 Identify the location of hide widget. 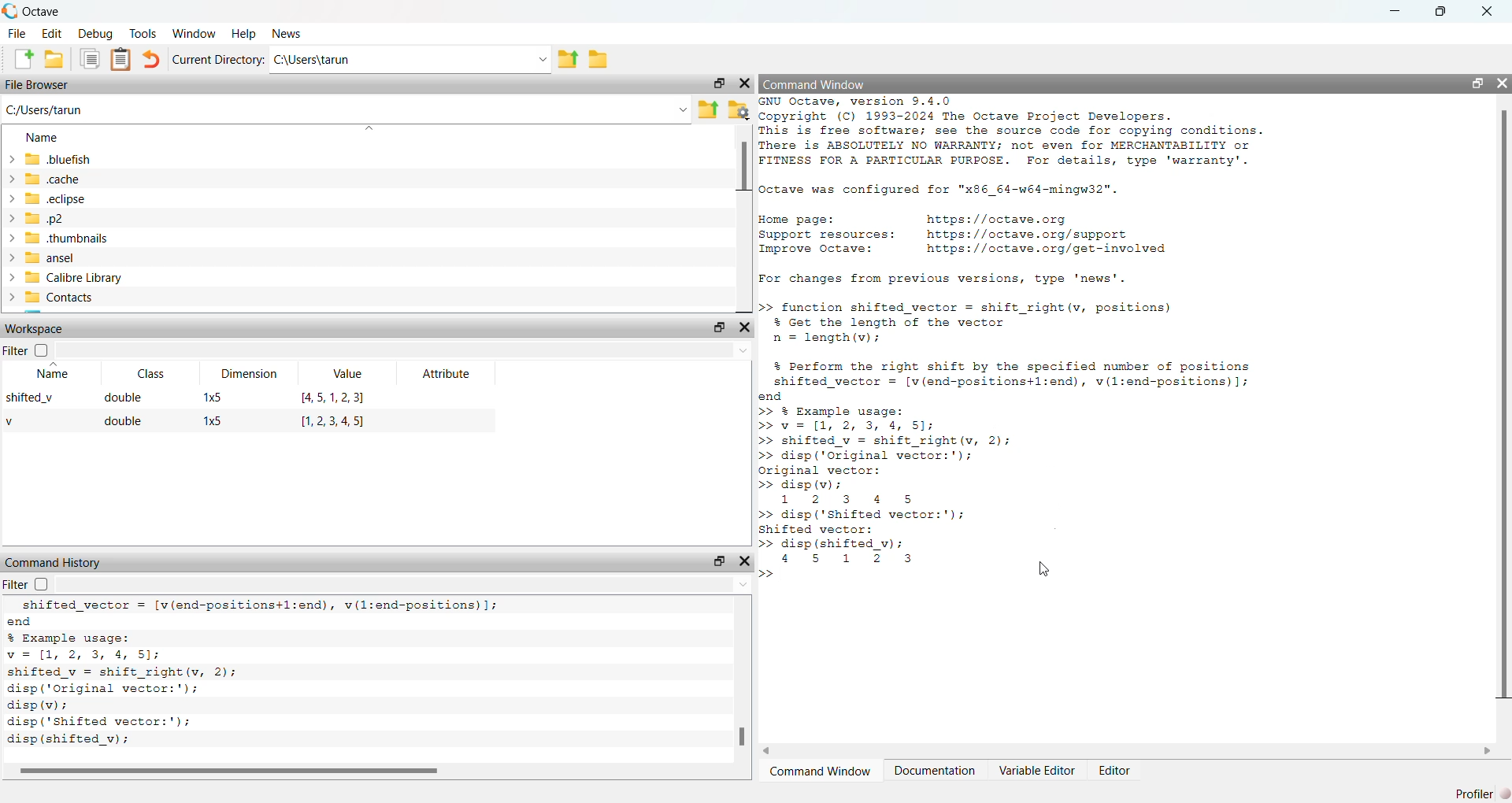
(747, 327).